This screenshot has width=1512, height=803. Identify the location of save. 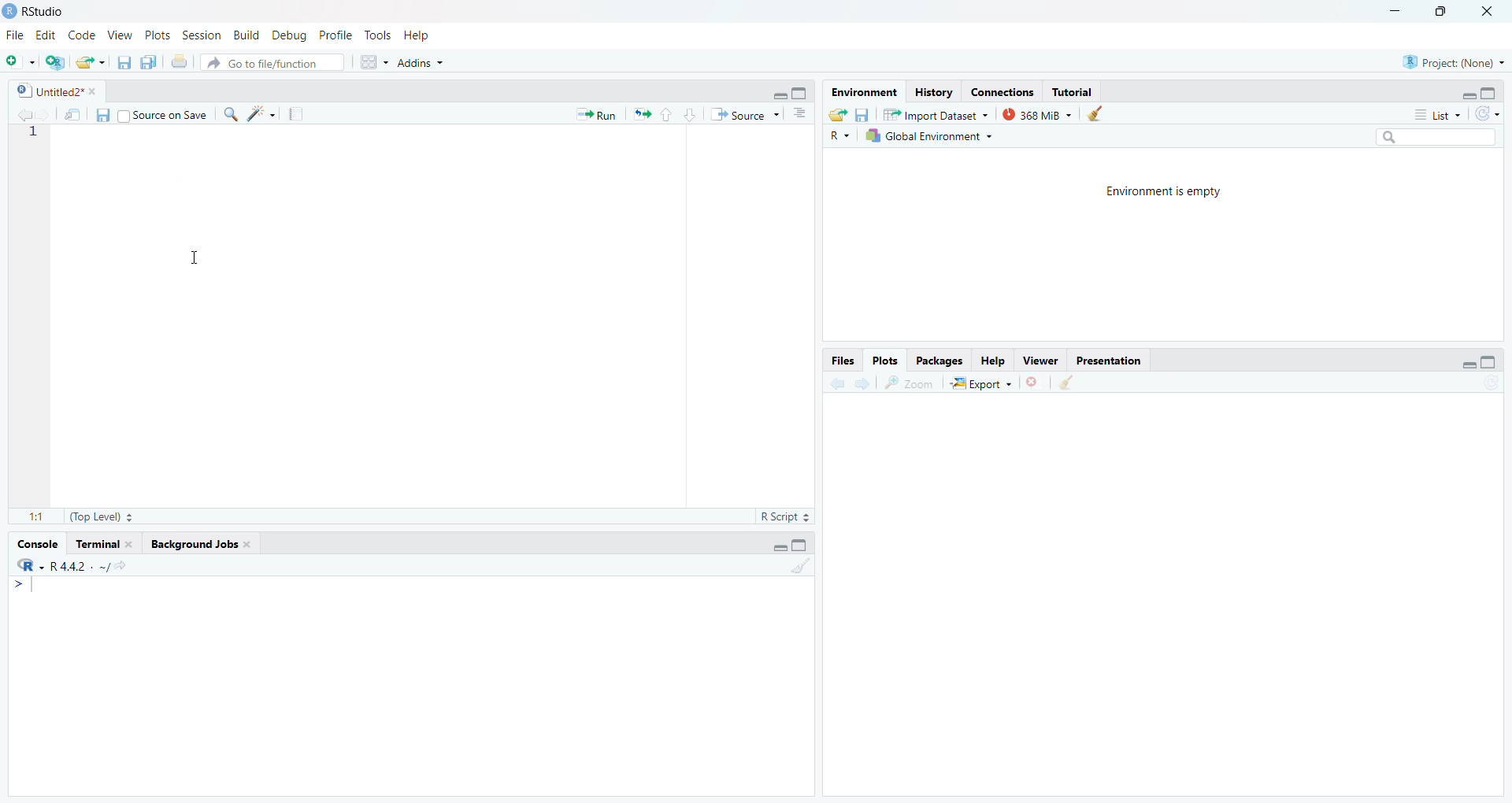
(106, 116).